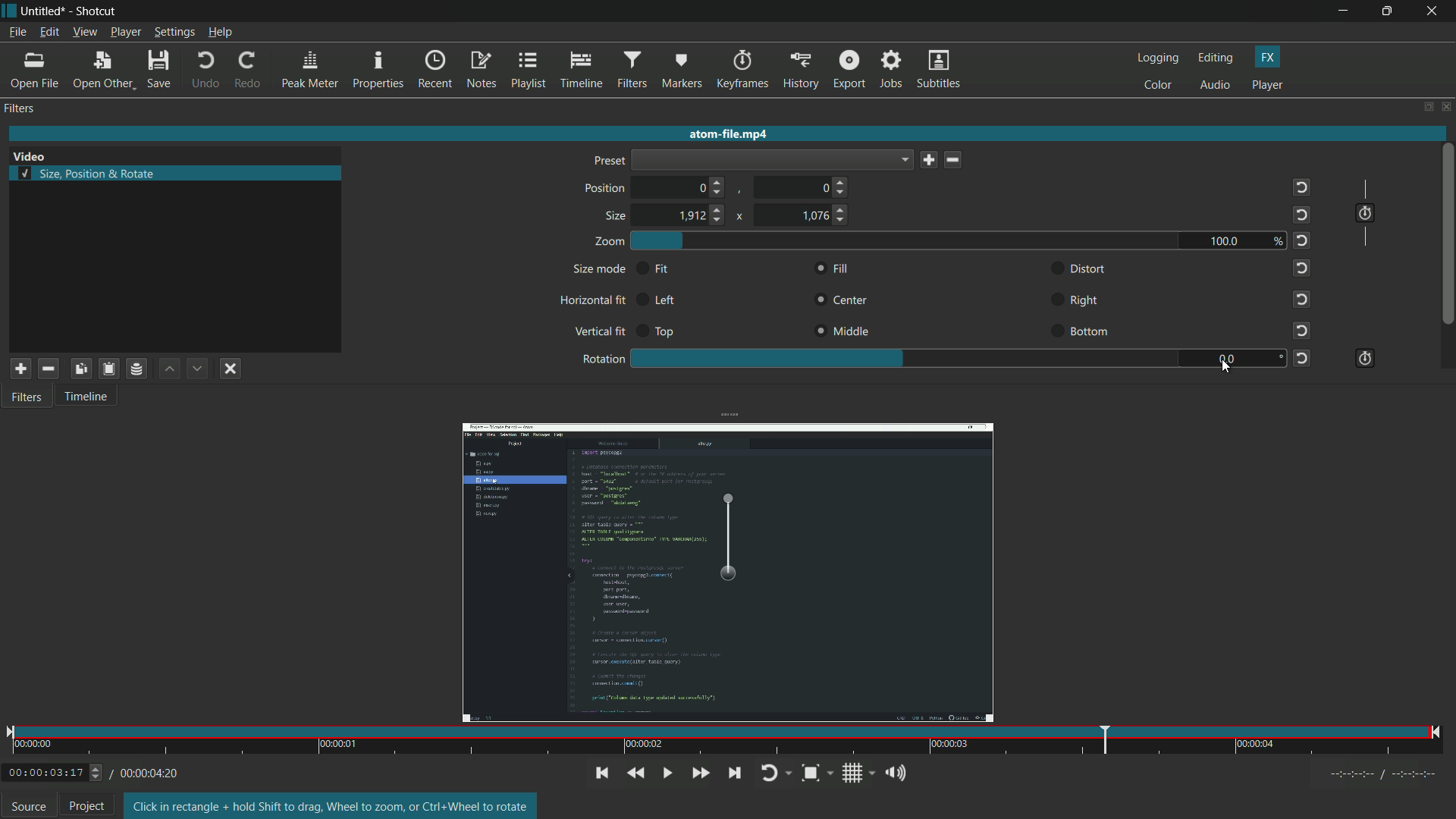  I want to click on rotation, so click(601, 360).